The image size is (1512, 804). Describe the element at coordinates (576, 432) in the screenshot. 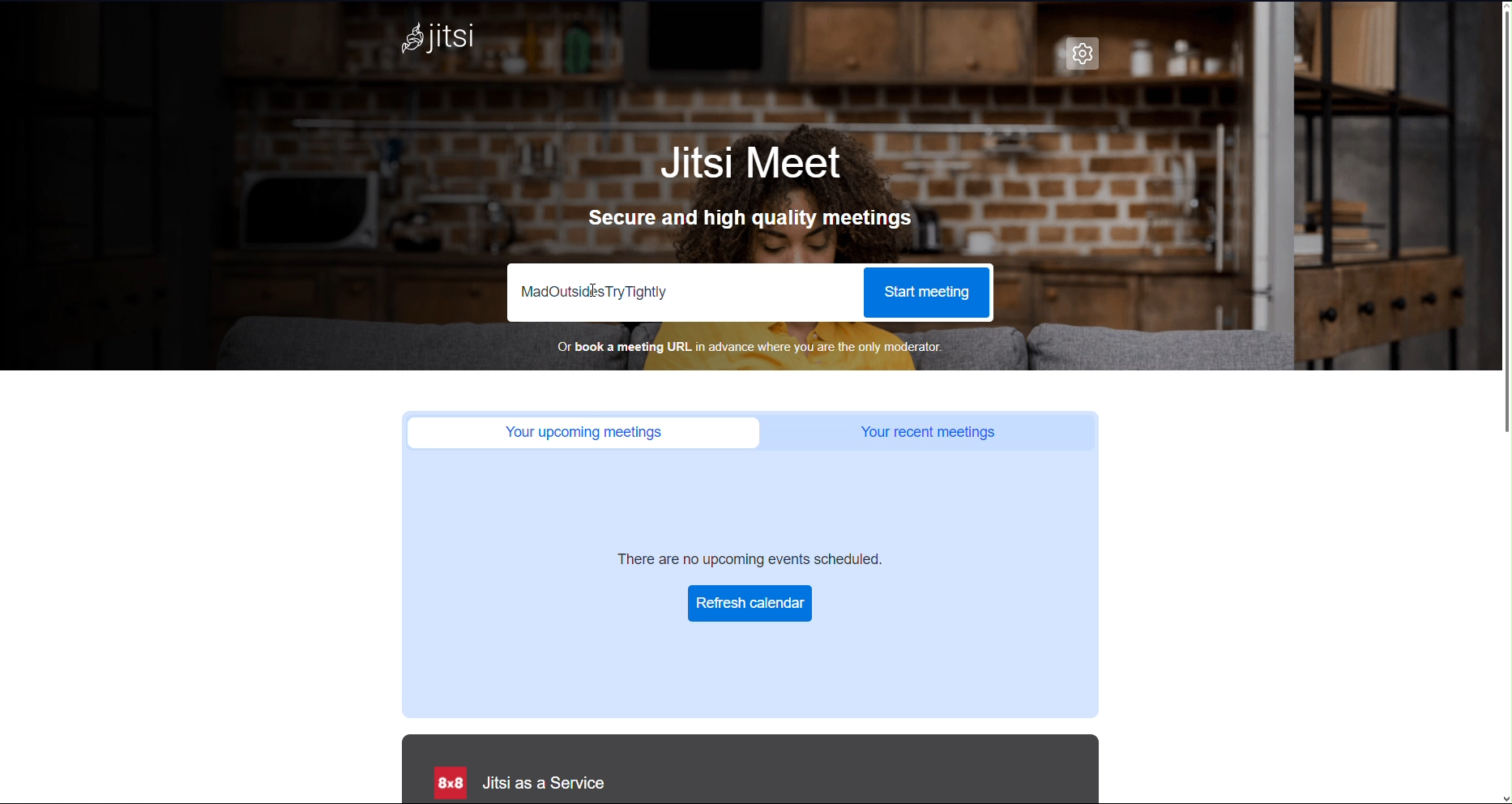

I see `Your upcoming meetings` at that location.